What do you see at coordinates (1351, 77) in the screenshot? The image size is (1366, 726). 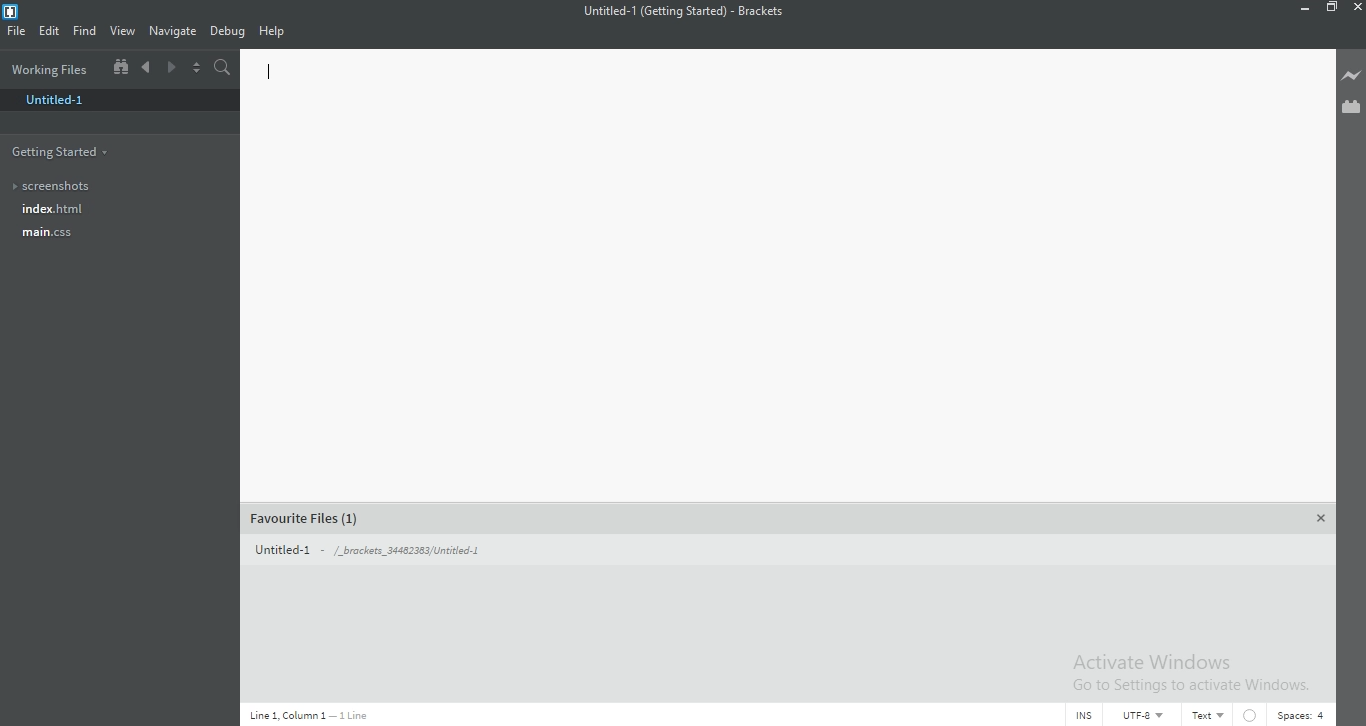 I see `Live preview` at bounding box center [1351, 77].